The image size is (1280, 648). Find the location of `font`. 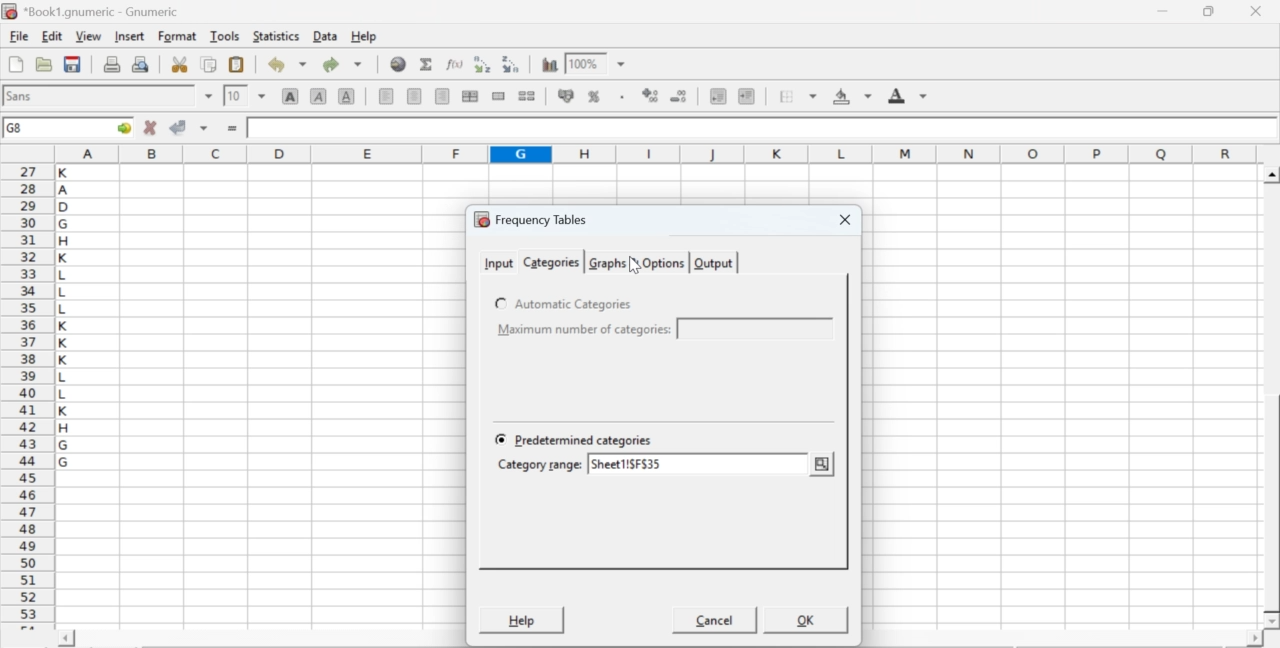

font is located at coordinates (22, 95).